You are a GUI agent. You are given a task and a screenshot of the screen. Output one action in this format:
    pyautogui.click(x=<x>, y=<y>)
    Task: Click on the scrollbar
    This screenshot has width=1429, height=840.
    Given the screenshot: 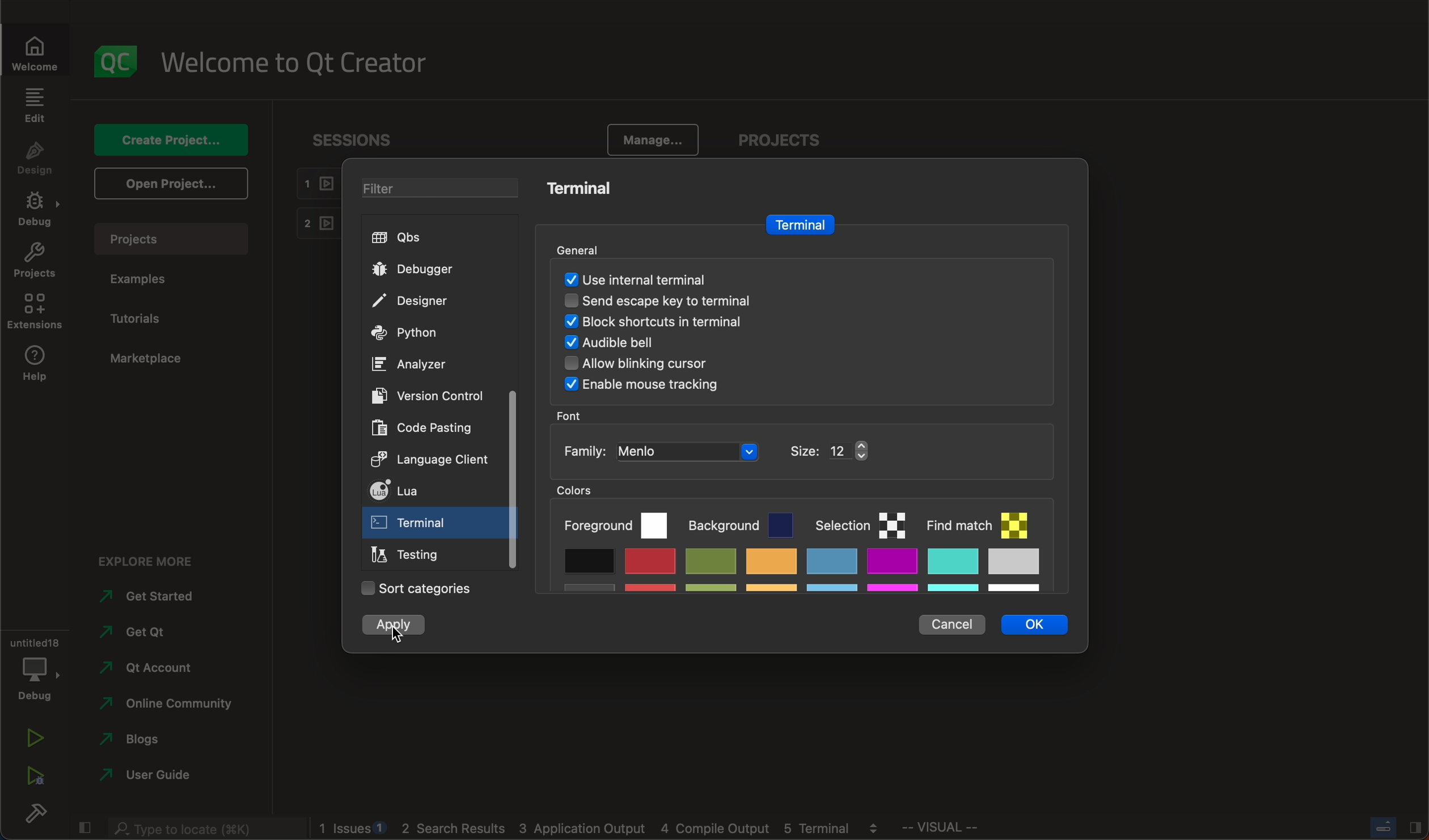 What is the action you would take?
    pyautogui.click(x=512, y=479)
    